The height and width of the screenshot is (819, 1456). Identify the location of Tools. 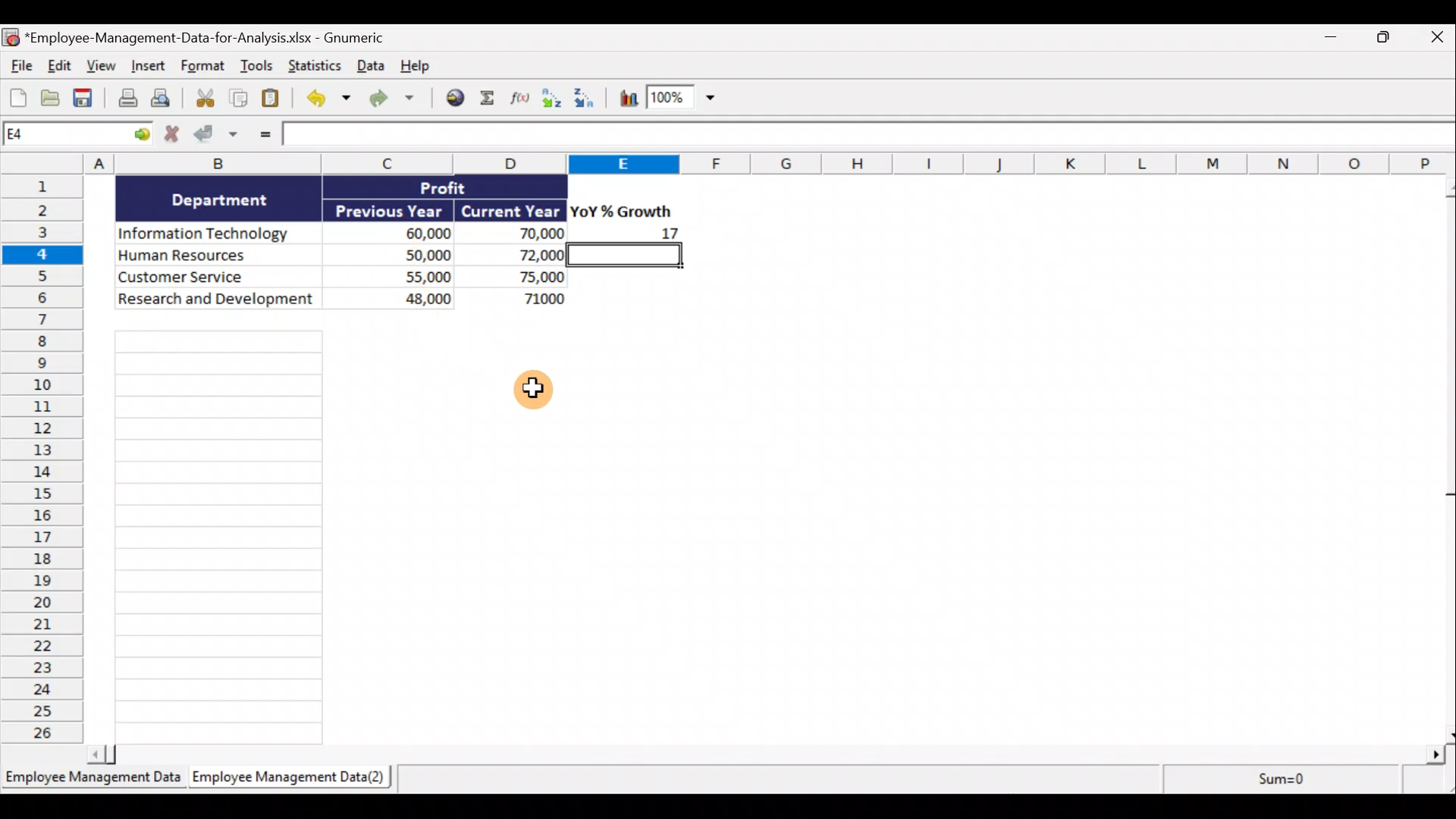
(259, 68).